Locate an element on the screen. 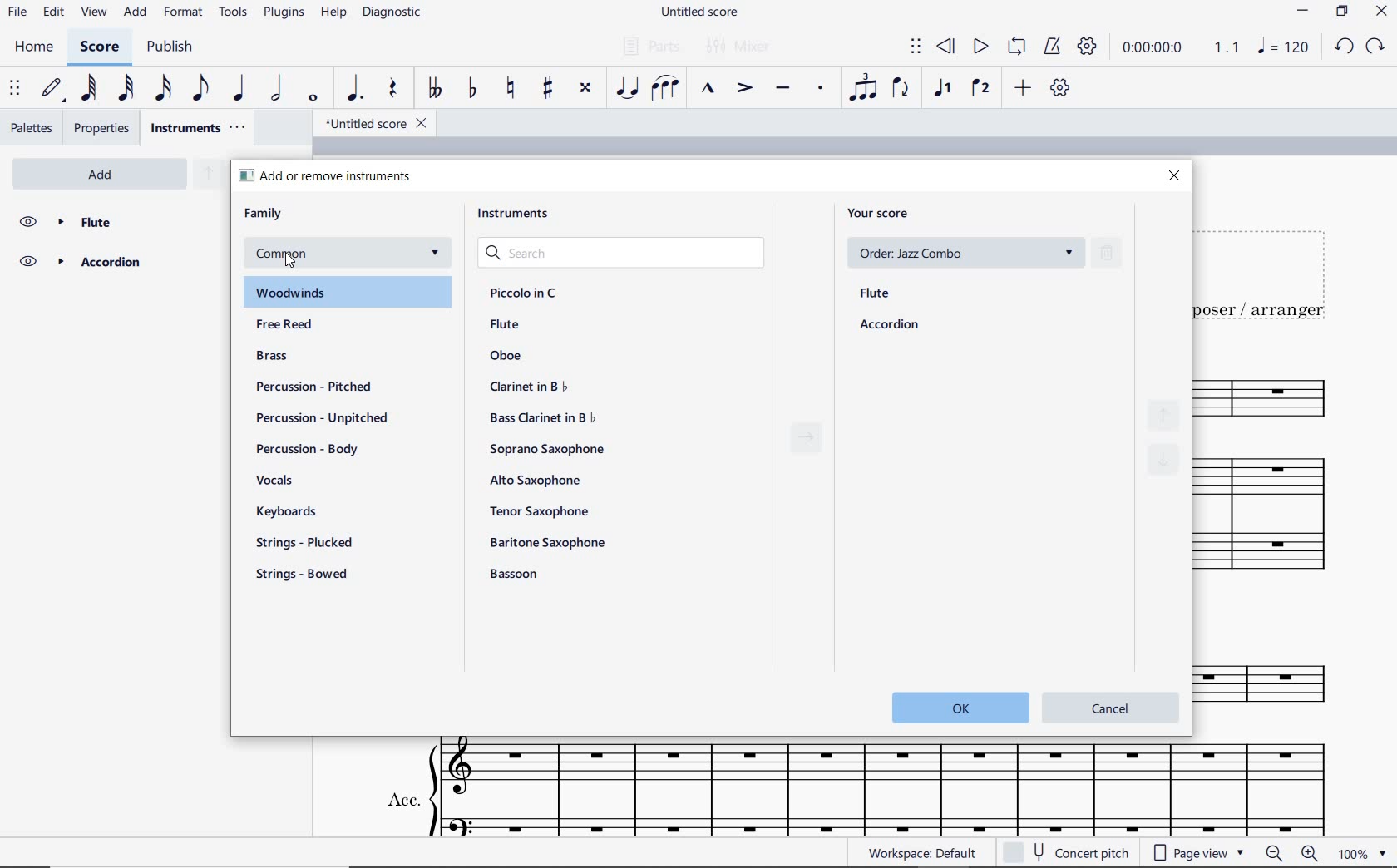  cursor is located at coordinates (282, 261).